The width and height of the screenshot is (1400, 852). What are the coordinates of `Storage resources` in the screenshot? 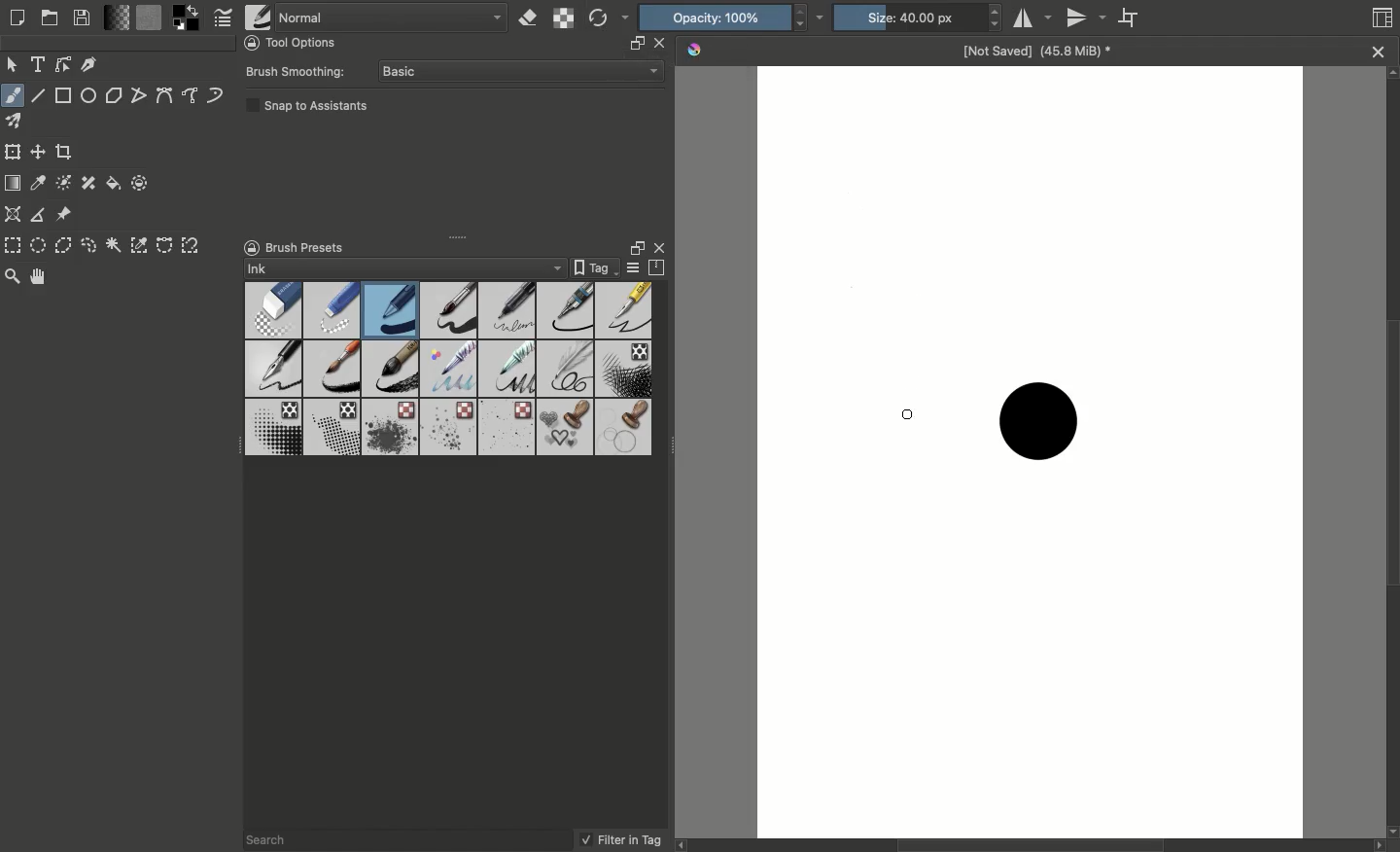 It's located at (660, 268).